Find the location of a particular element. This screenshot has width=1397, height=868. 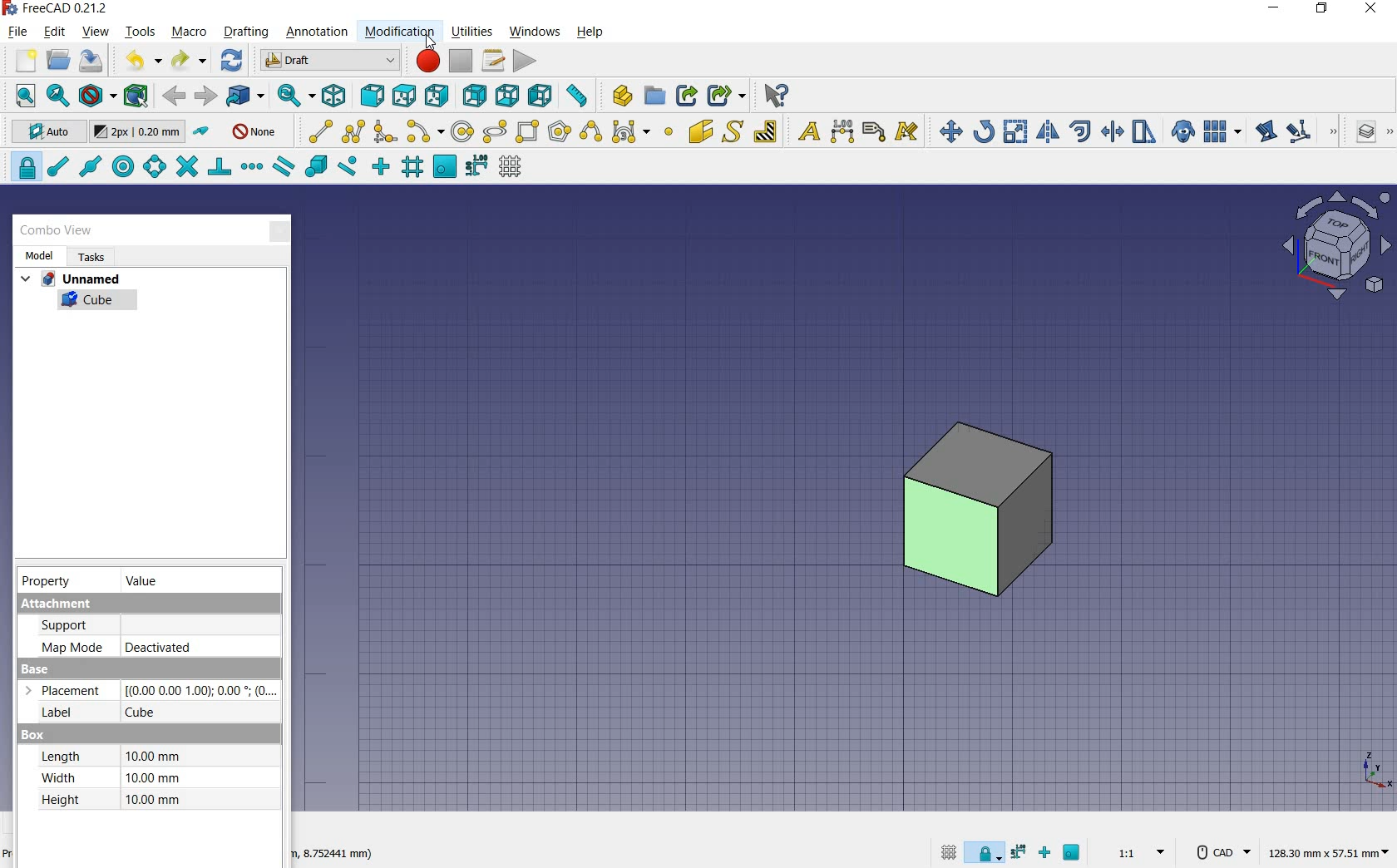

tasks is located at coordinates (90, 257).